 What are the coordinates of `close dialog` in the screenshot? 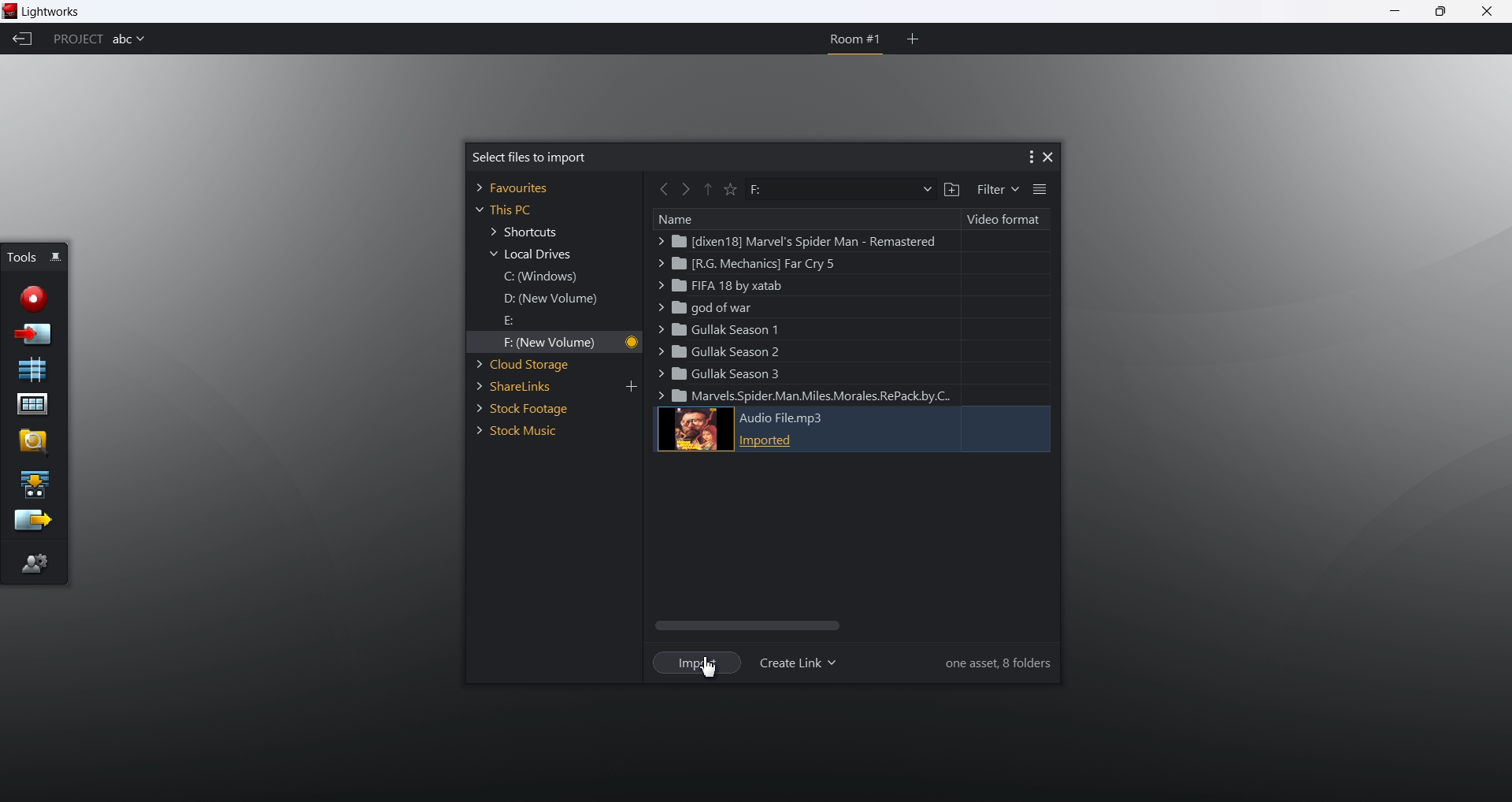 It's located at (1051, 156).